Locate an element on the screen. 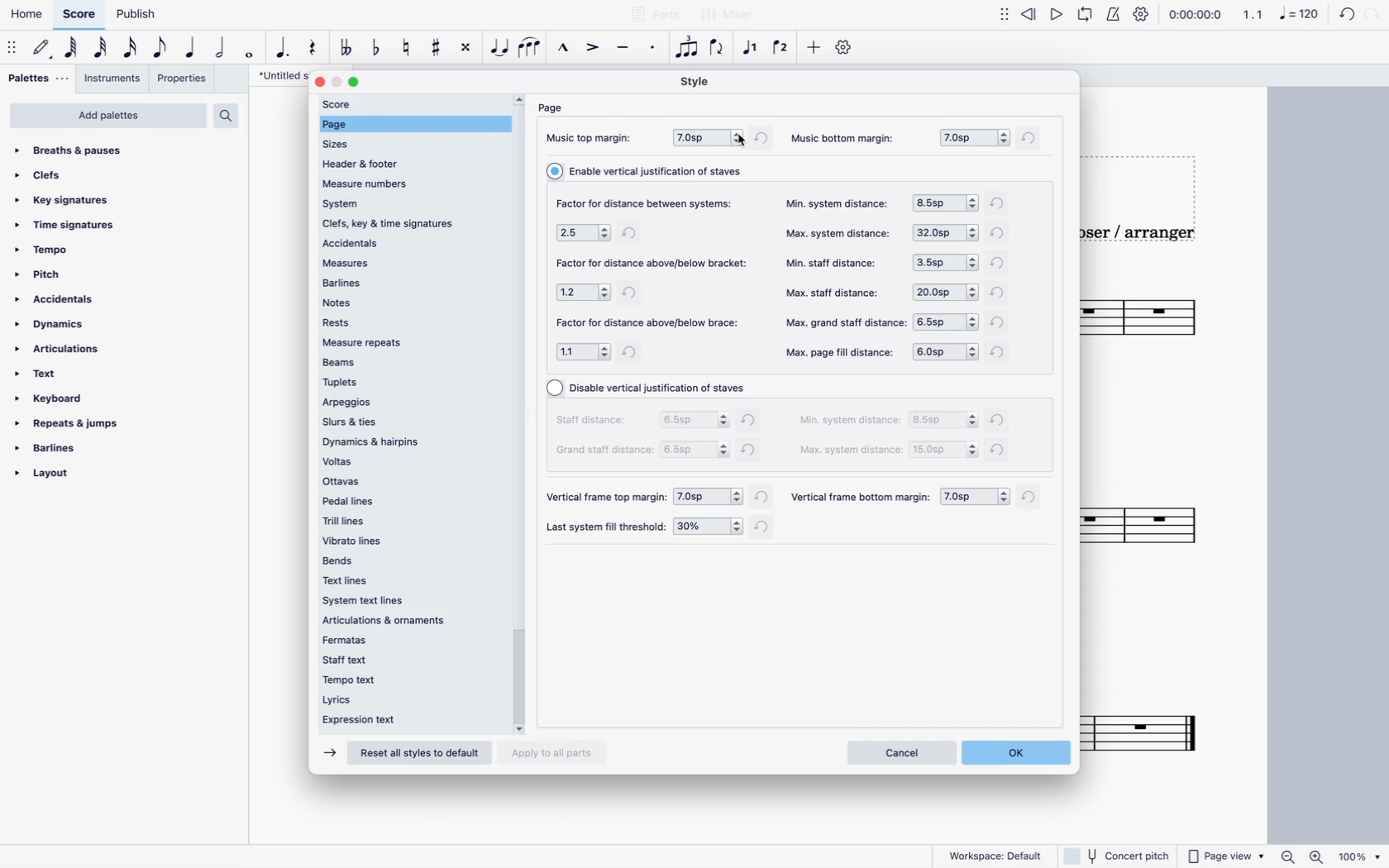 This screenshot has width=1389, height=868. style is located at coordinates (699, 81).